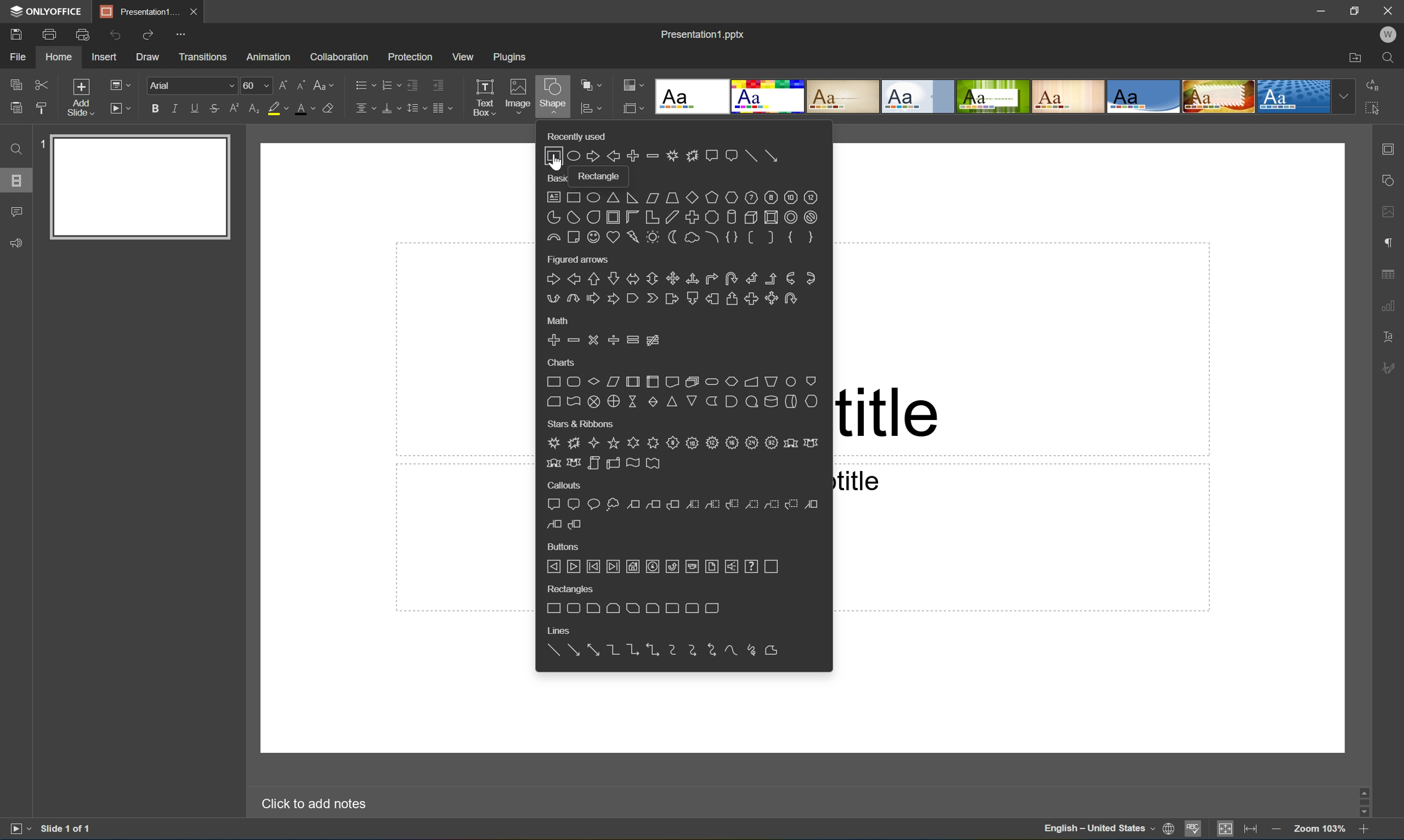  I want to click on Scroll Bar, so click(1360, 803).